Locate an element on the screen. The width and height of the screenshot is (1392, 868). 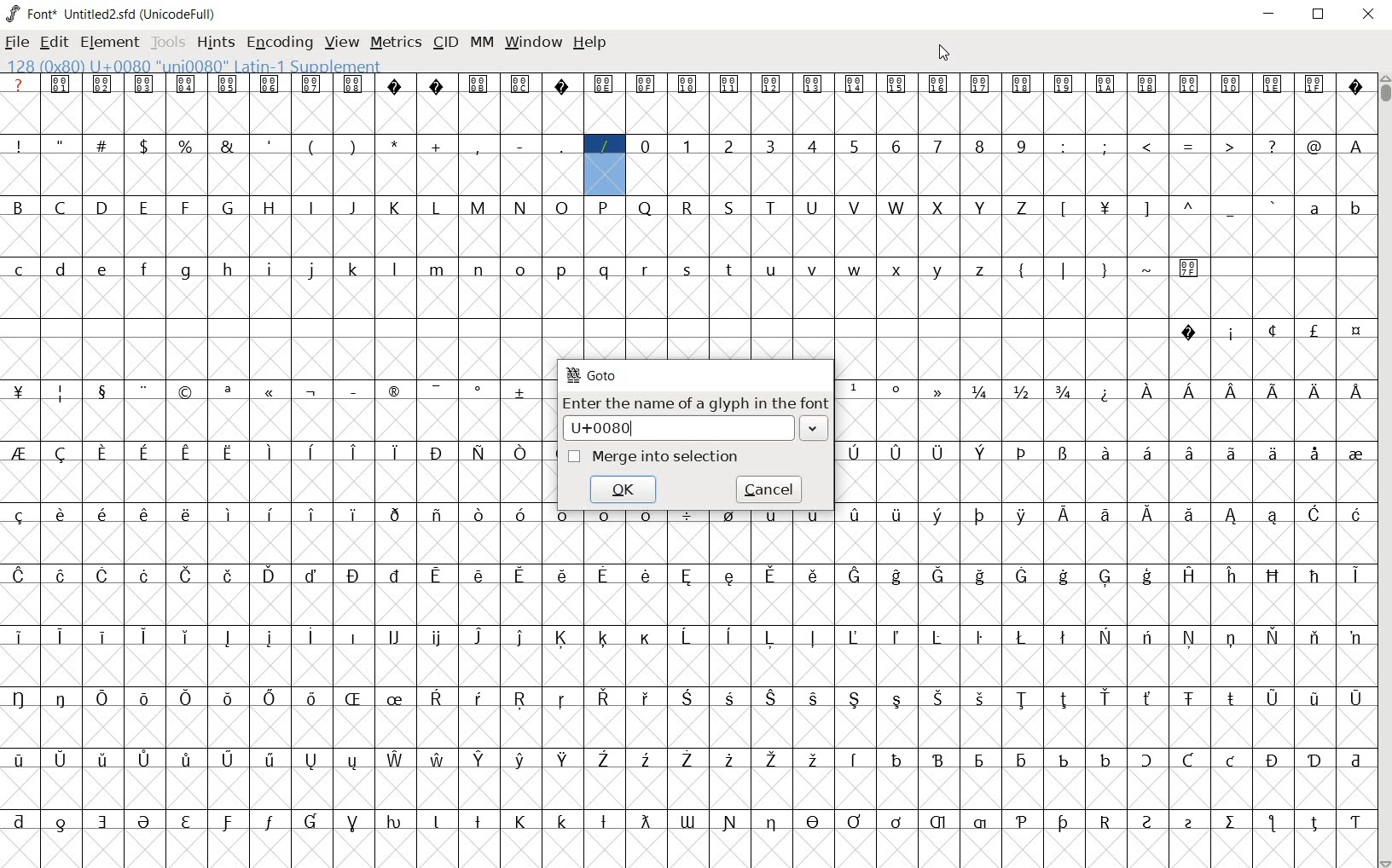
glyph is located at coordinates (896, 576).